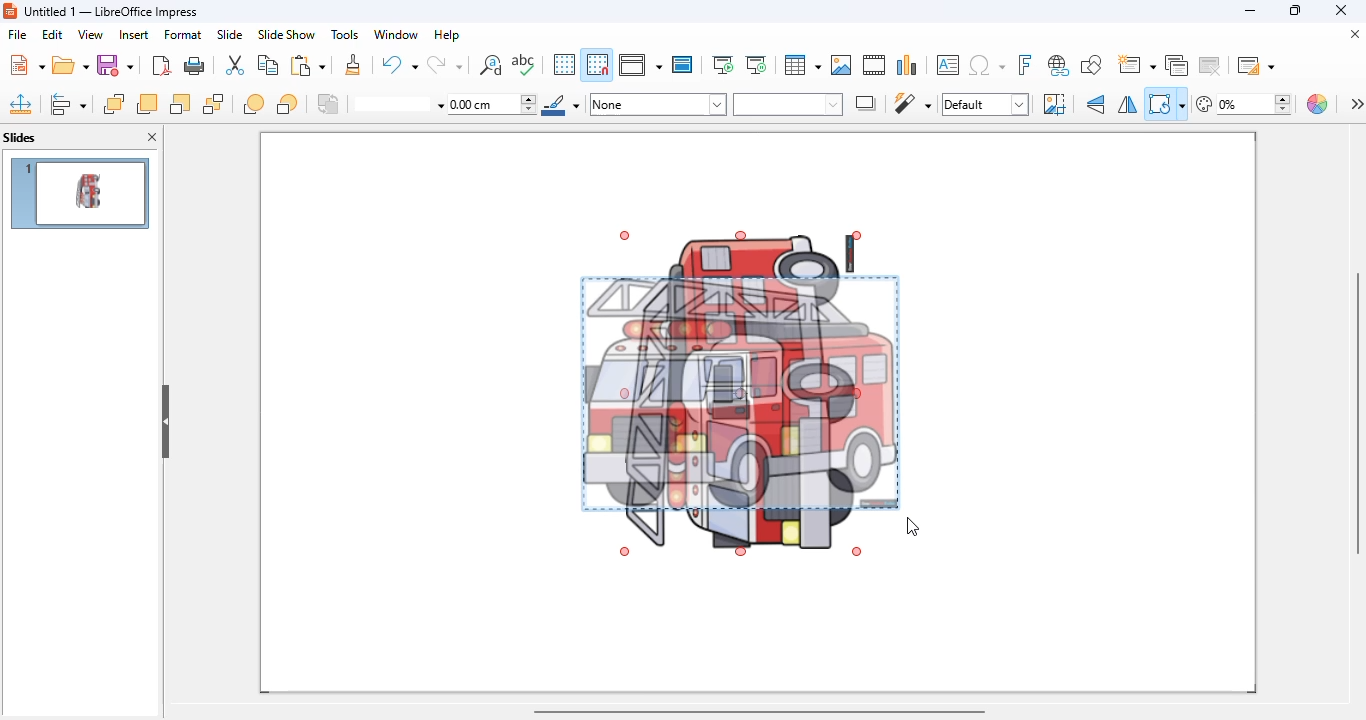 The width and height of the screenshot is (1366, 720). Describe the element at coordinates (20, 137) in the screenshot. I see `slides` at that location.